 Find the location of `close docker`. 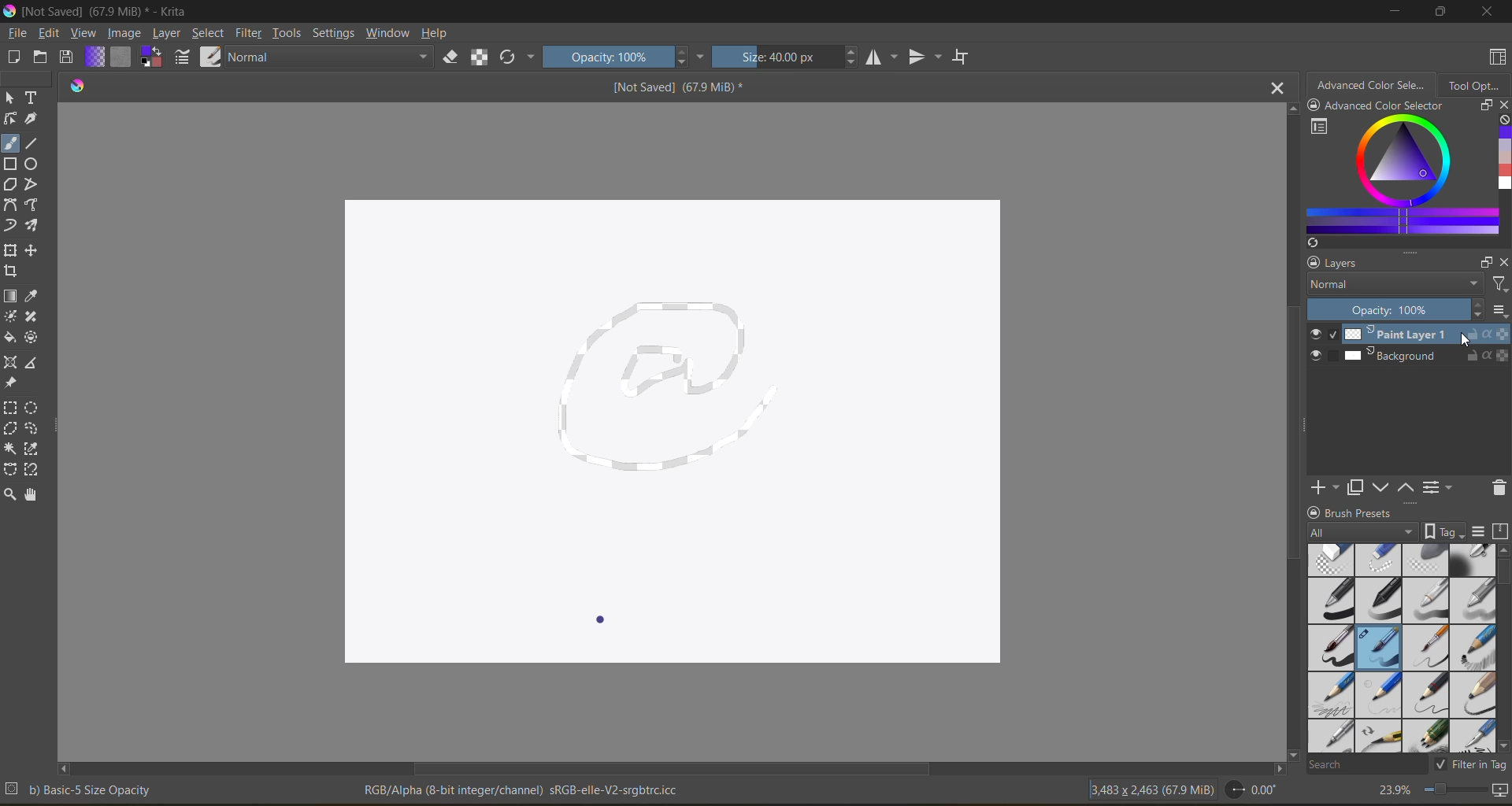

close docker is located at coordinates (1503, 104).